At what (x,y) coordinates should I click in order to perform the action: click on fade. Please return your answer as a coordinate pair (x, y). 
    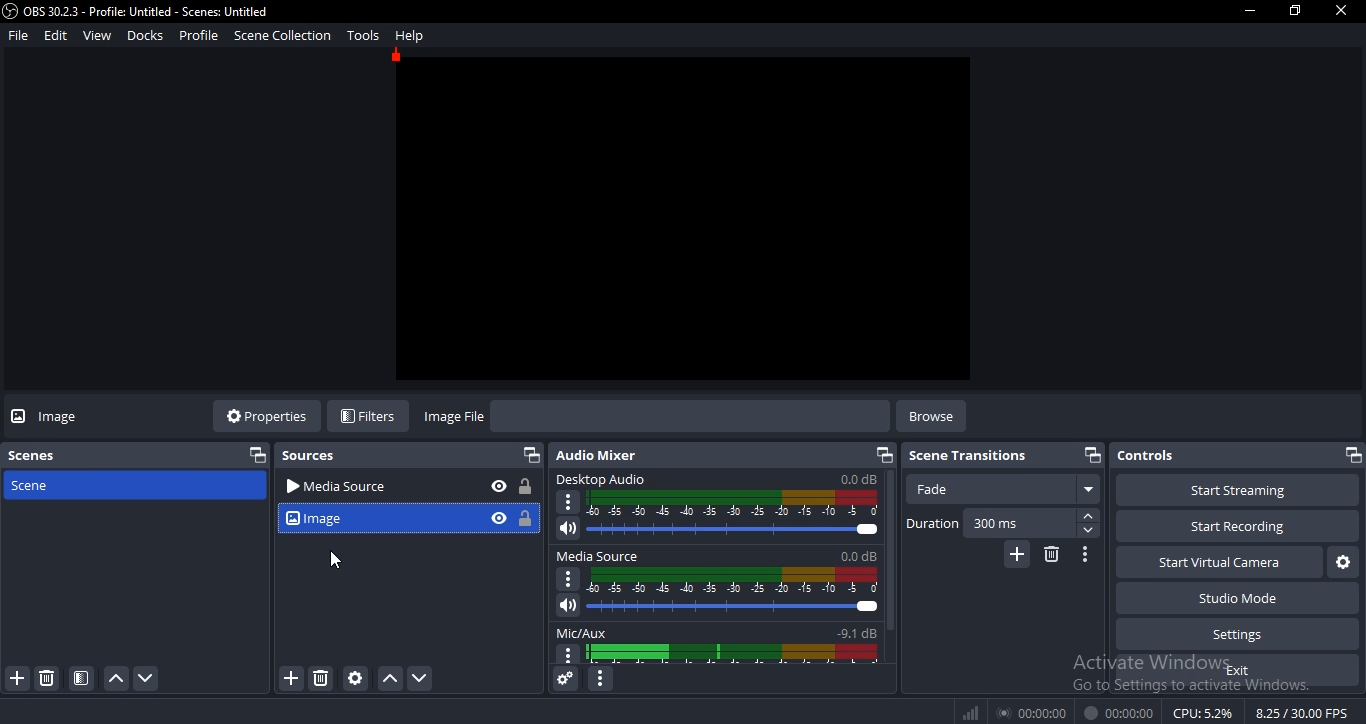
    Looking at the image, I should click on (1007, 490).